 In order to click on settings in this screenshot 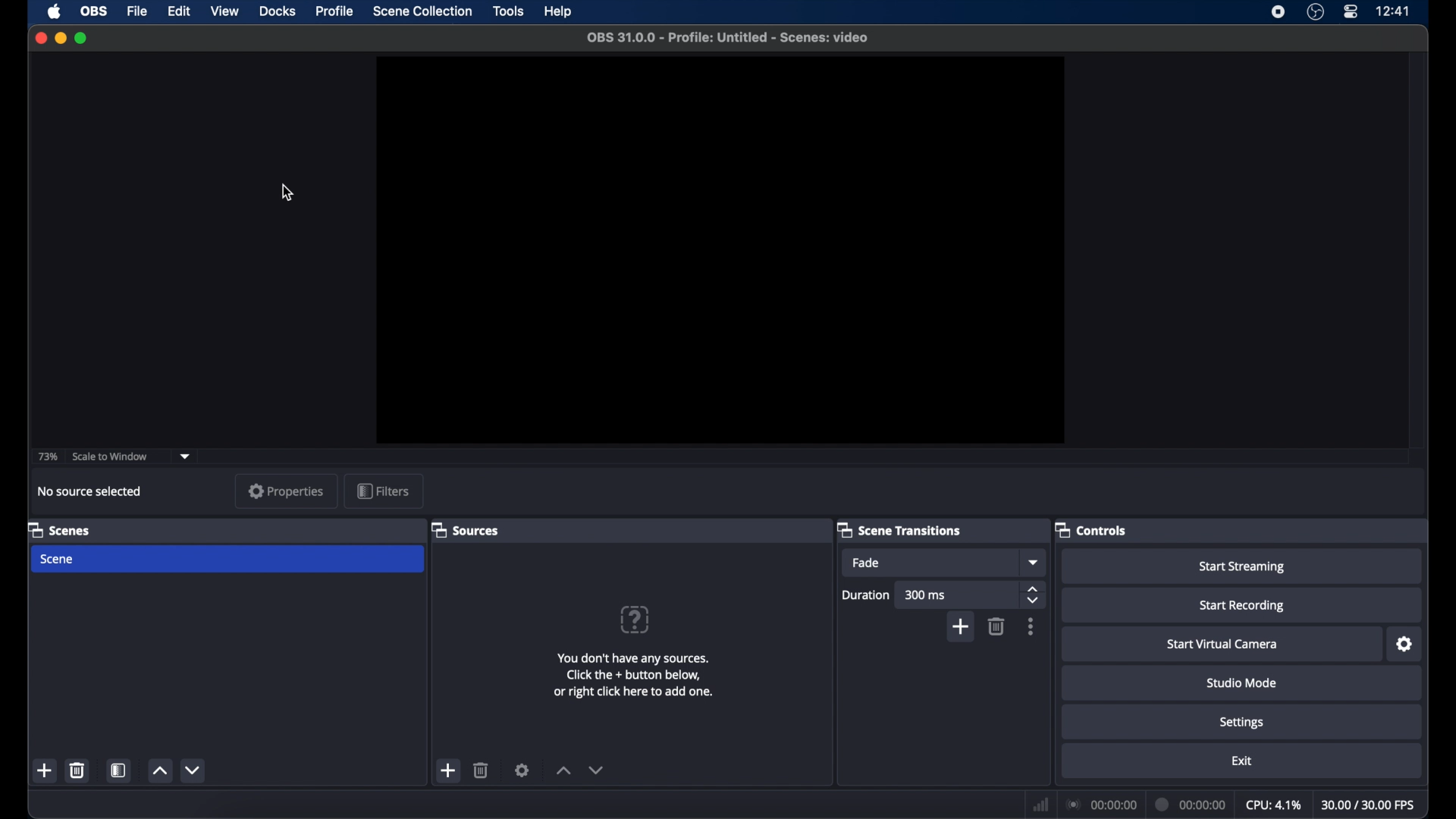, I will do `click(1405, 645)`.